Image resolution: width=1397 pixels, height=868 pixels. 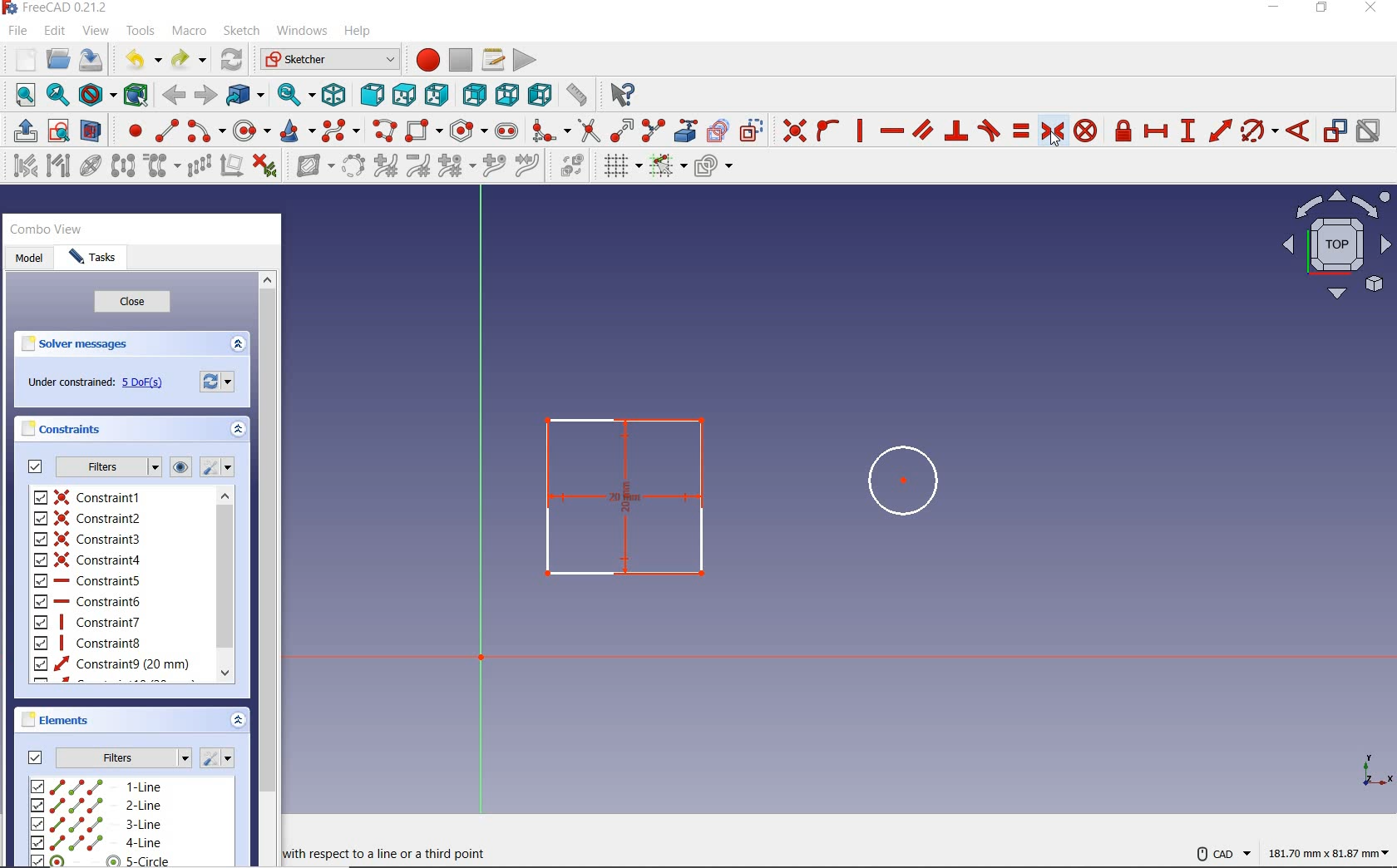 I want to click on Scroll up, so click(x=227, y=496).